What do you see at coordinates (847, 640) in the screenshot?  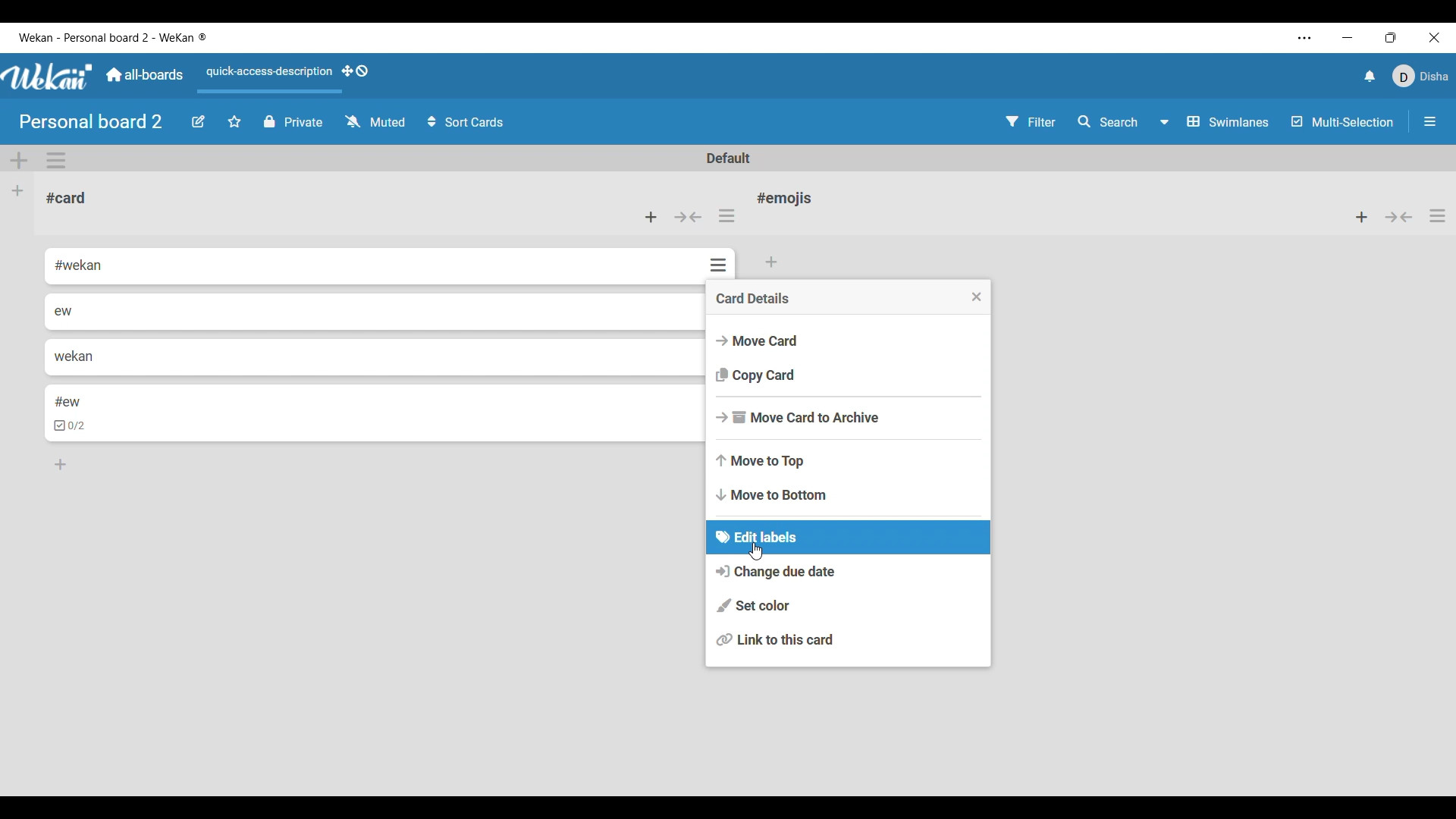 I see `Link to this card` at bounding box center [847, 640].